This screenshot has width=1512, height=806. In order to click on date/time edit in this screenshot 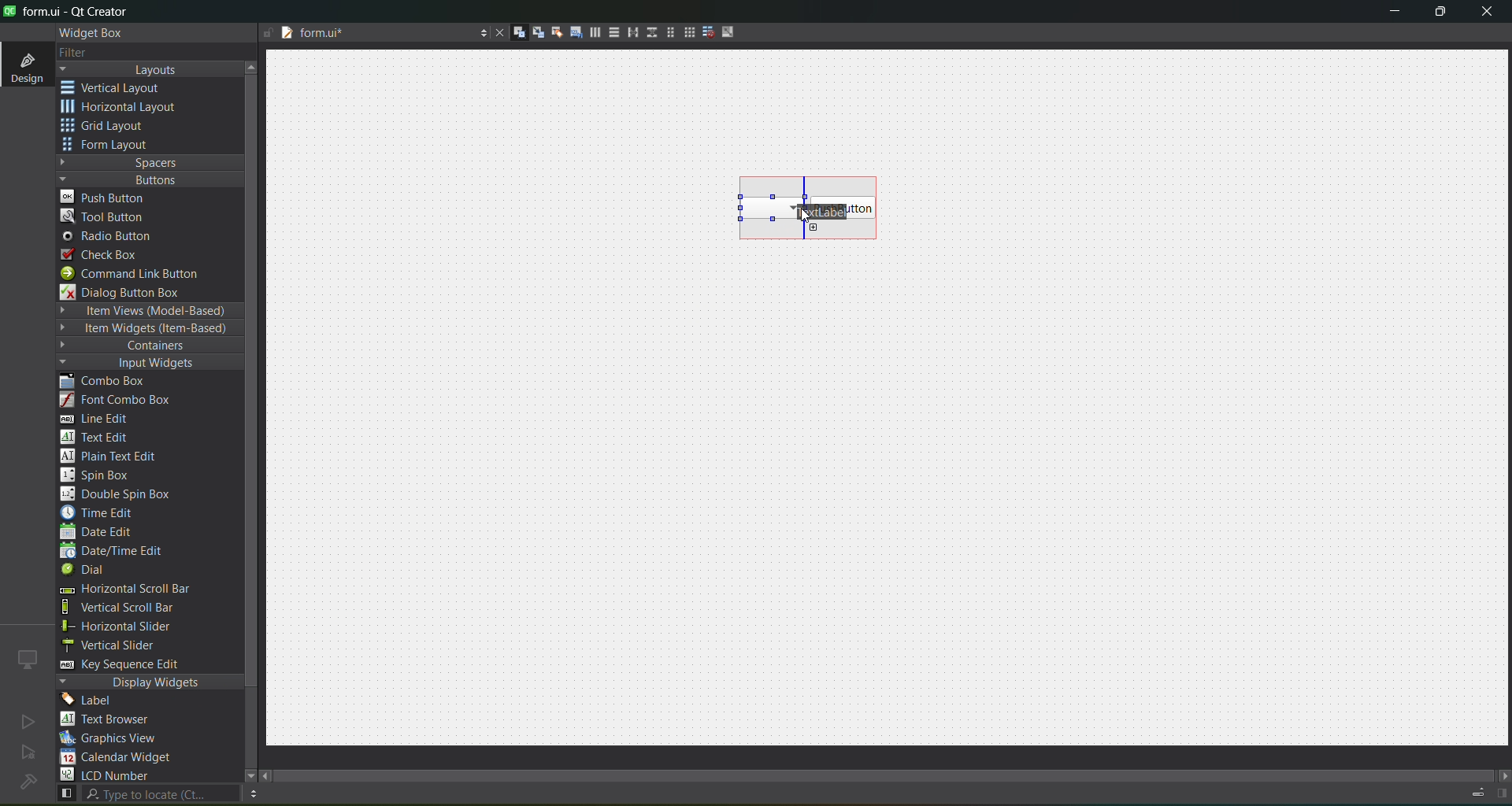, I will do `click(126, 552)`.